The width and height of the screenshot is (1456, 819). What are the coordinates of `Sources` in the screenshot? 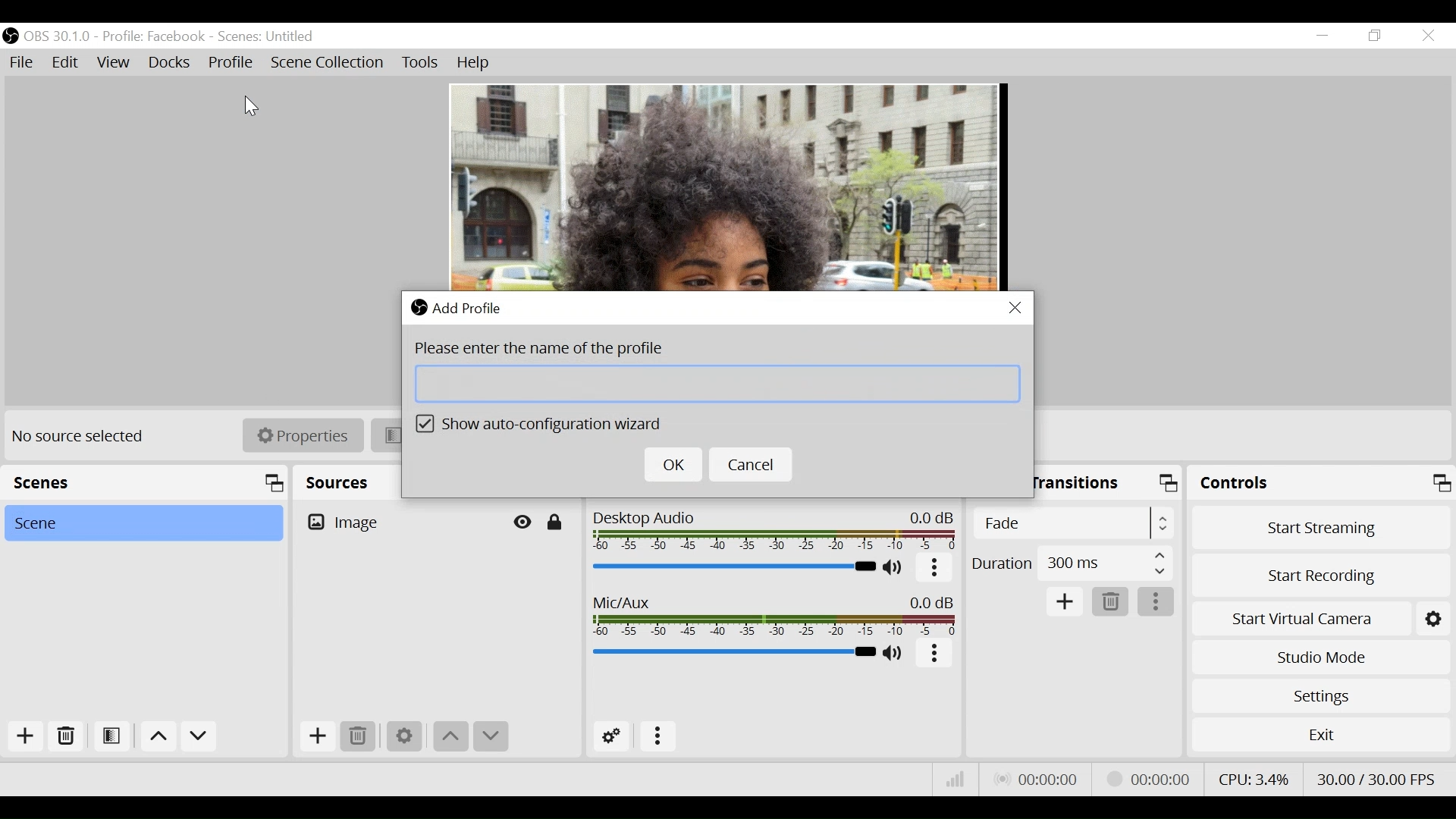 It's located at (337, 479).